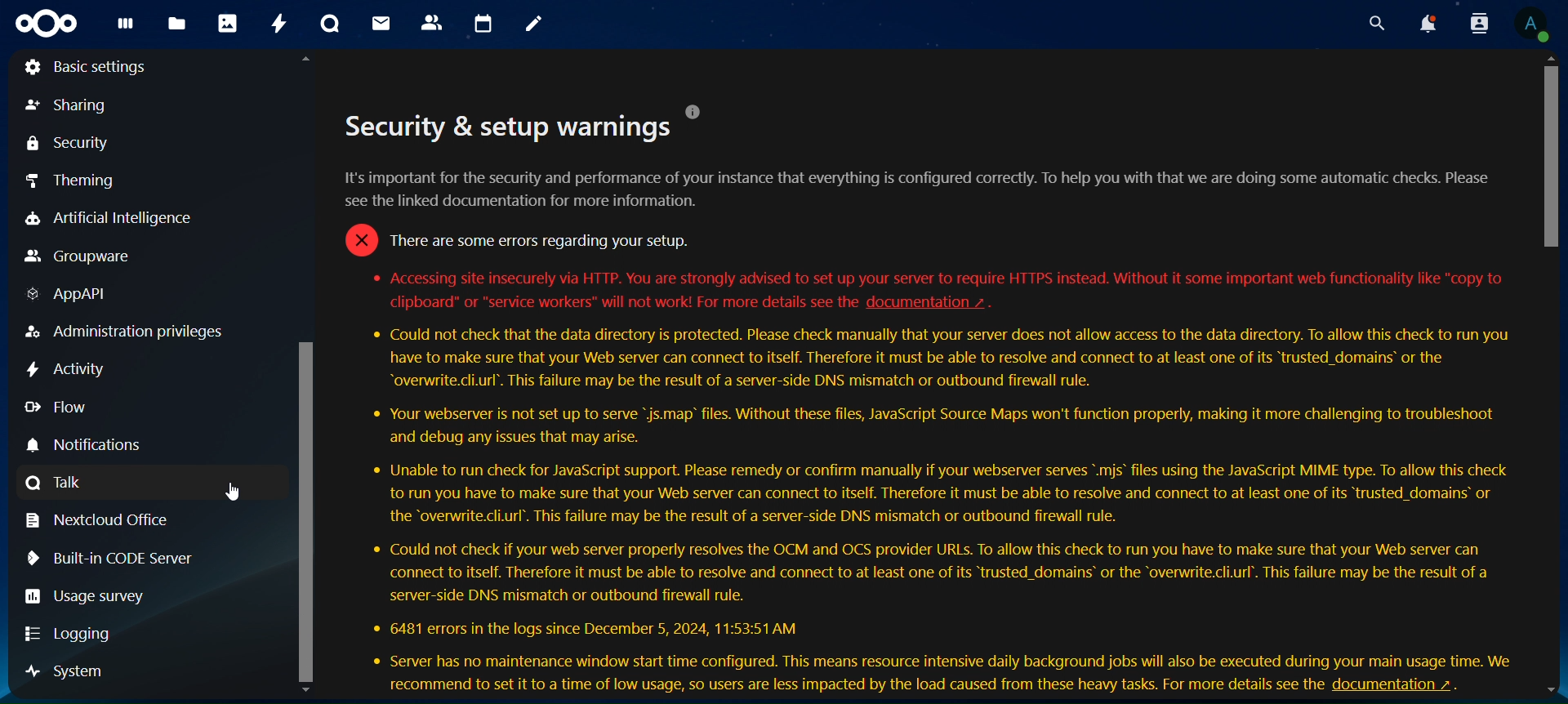 The height and width of the screenshot is (704, 1568). Describe the element at coordinates (841, 687) in the screenshot. I see `text` at that location.